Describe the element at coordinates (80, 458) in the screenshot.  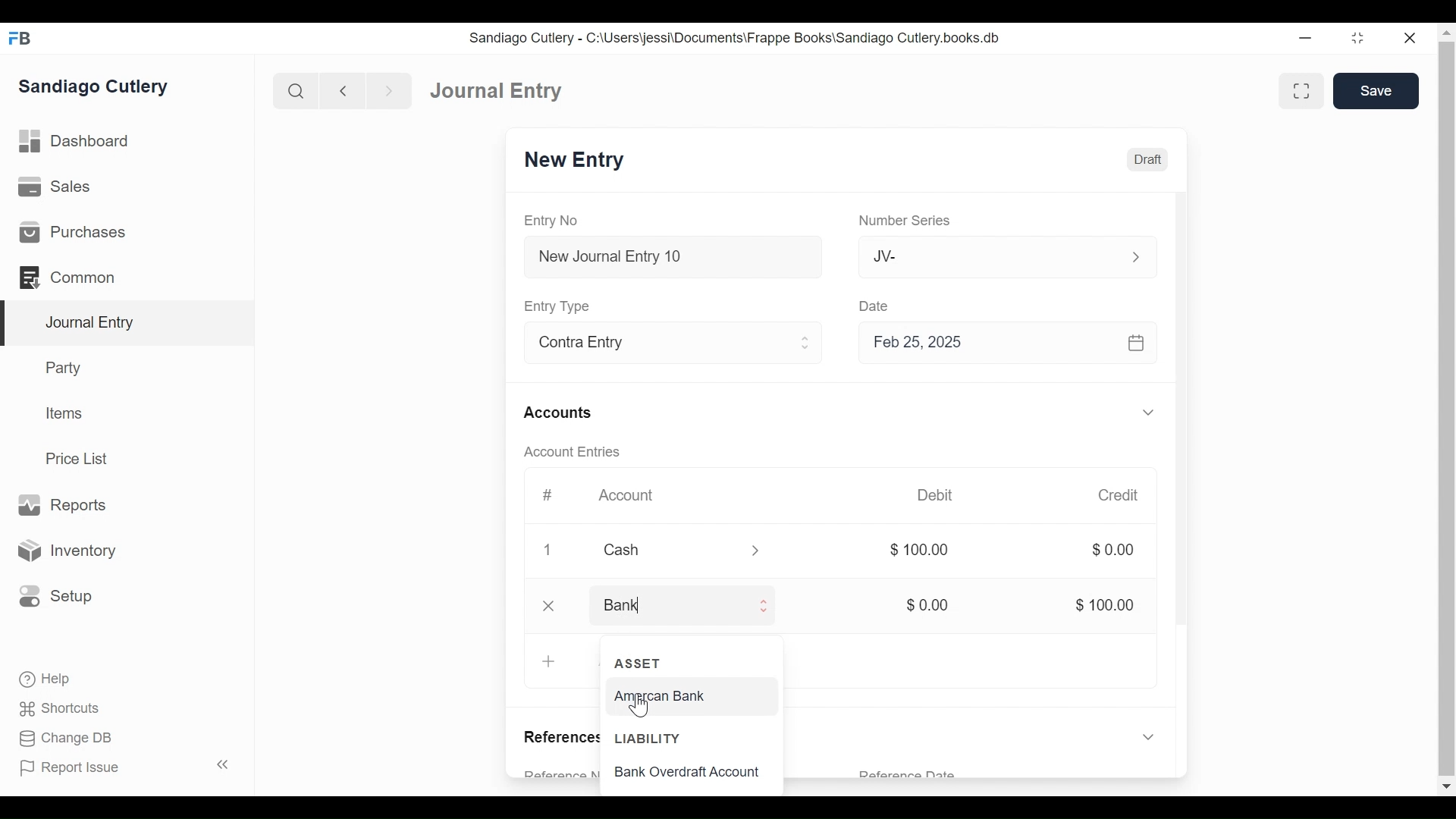
I see `Price List` at that location.